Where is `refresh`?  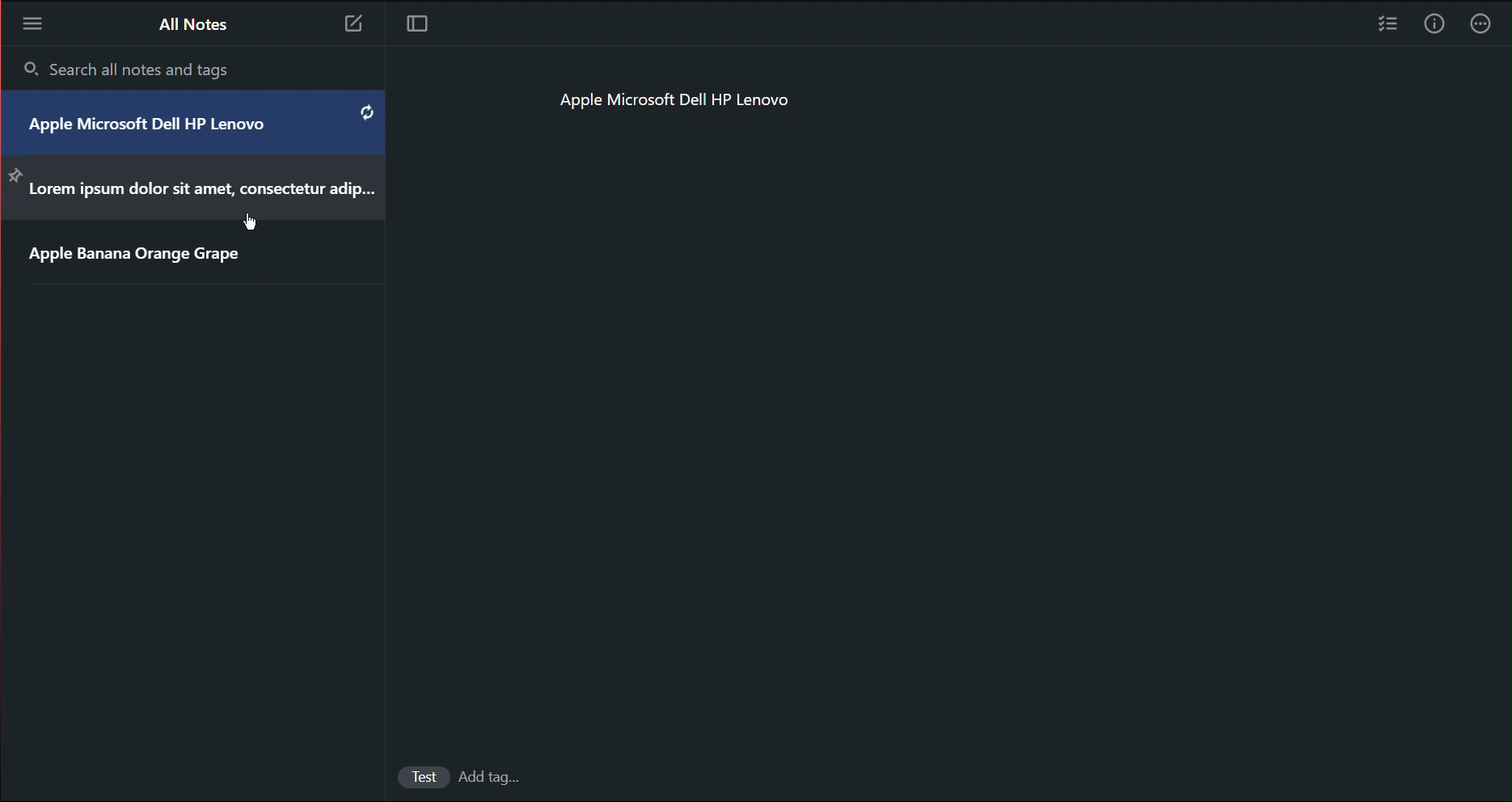 refresh is located at coordinates (365, 113).